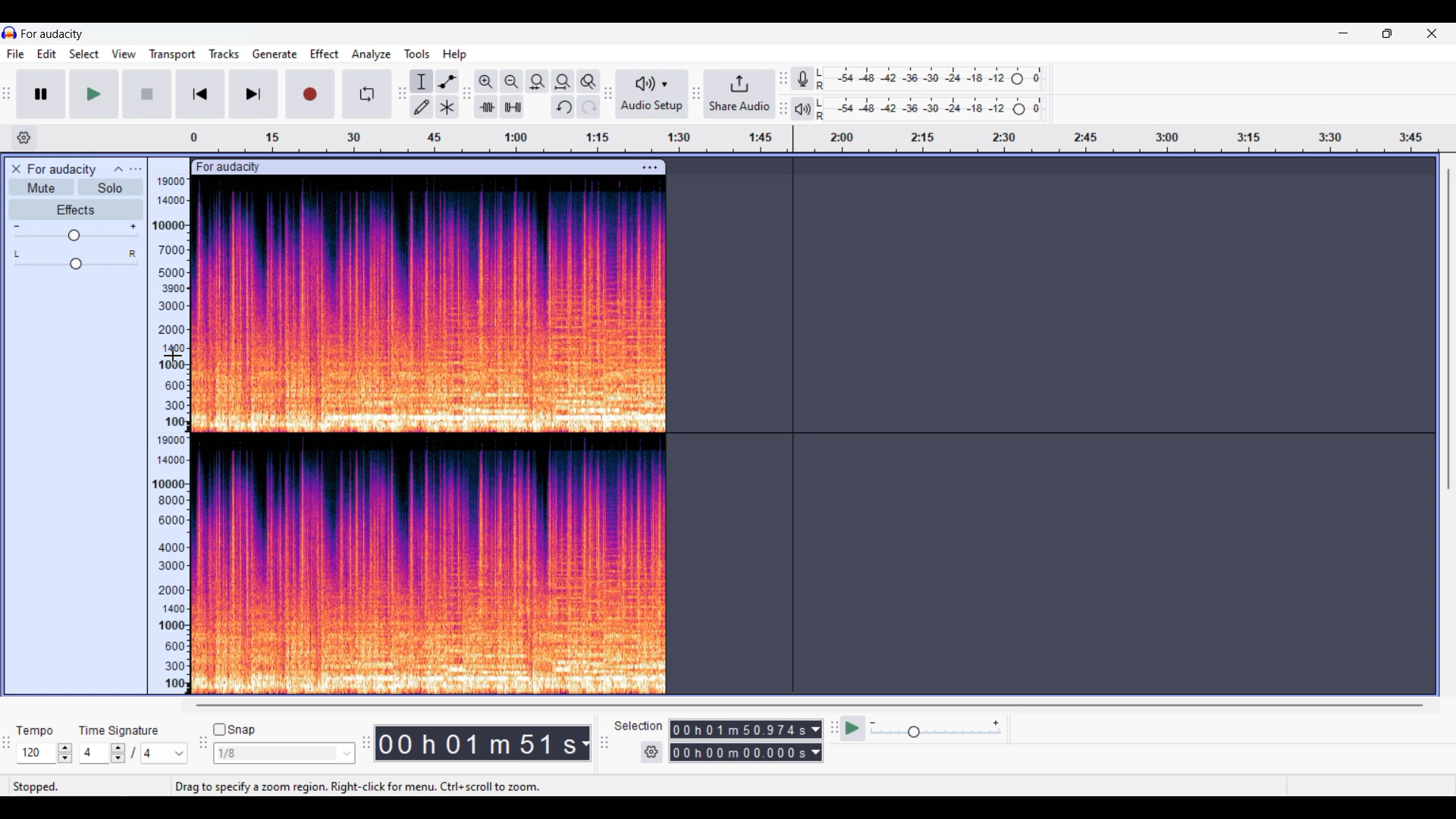  Describe the element at coordinates (24, 138) in the screenshot. I see `Timeline settings` at that location.